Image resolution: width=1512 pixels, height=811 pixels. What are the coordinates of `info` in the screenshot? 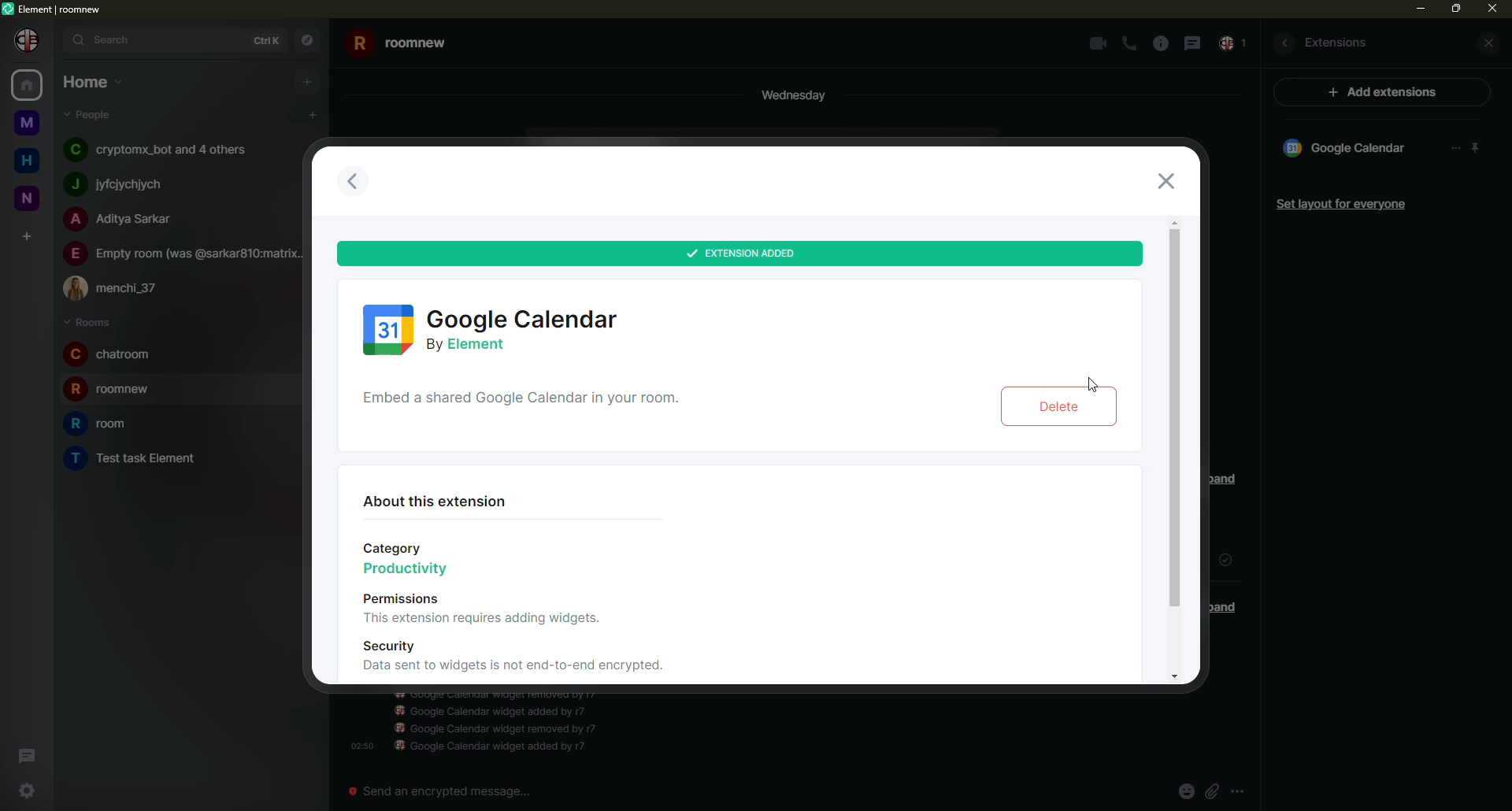 It's located at (502, 724).